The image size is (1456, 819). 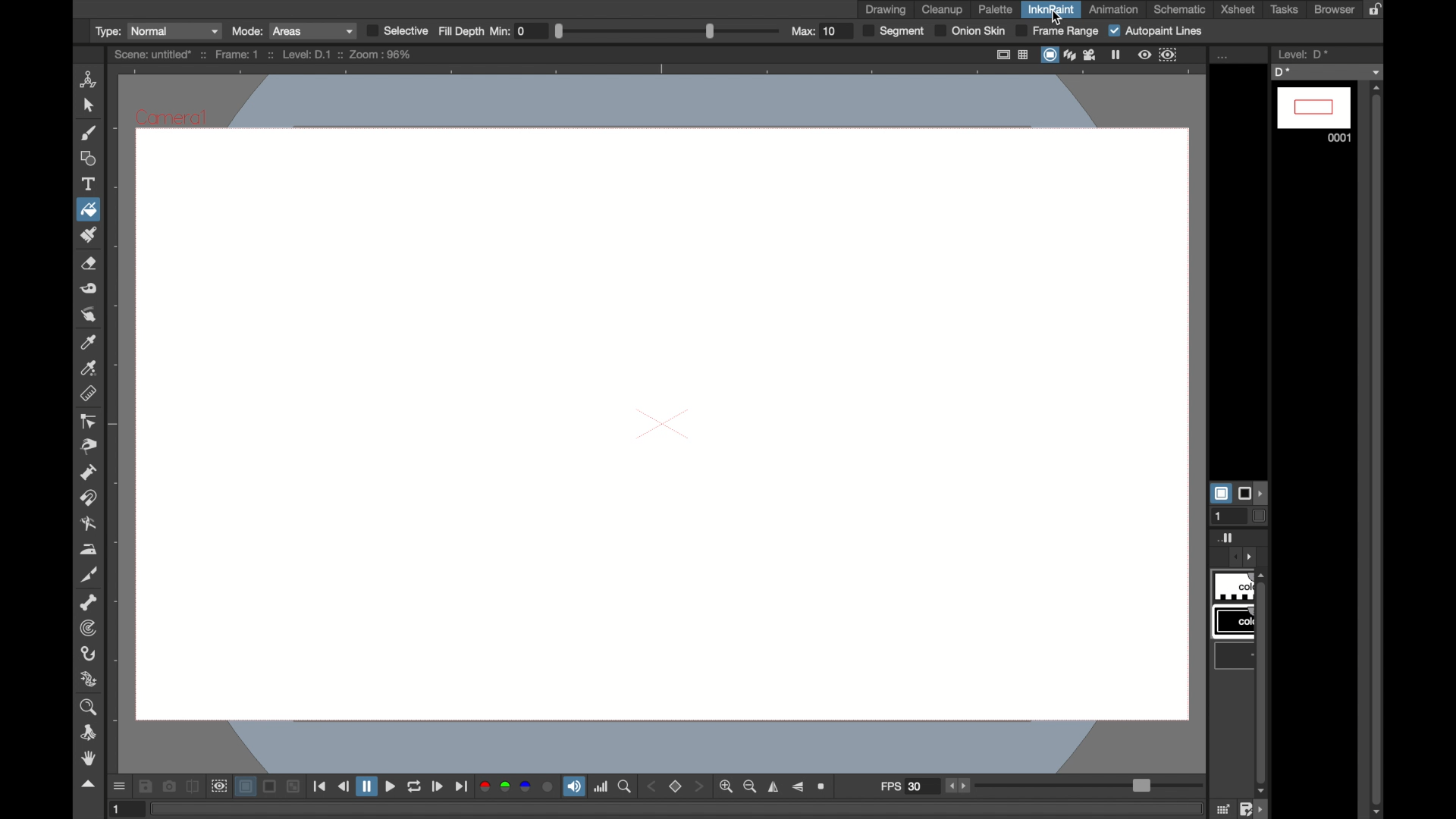 I want to click on forward, so click(x=461, y=787).